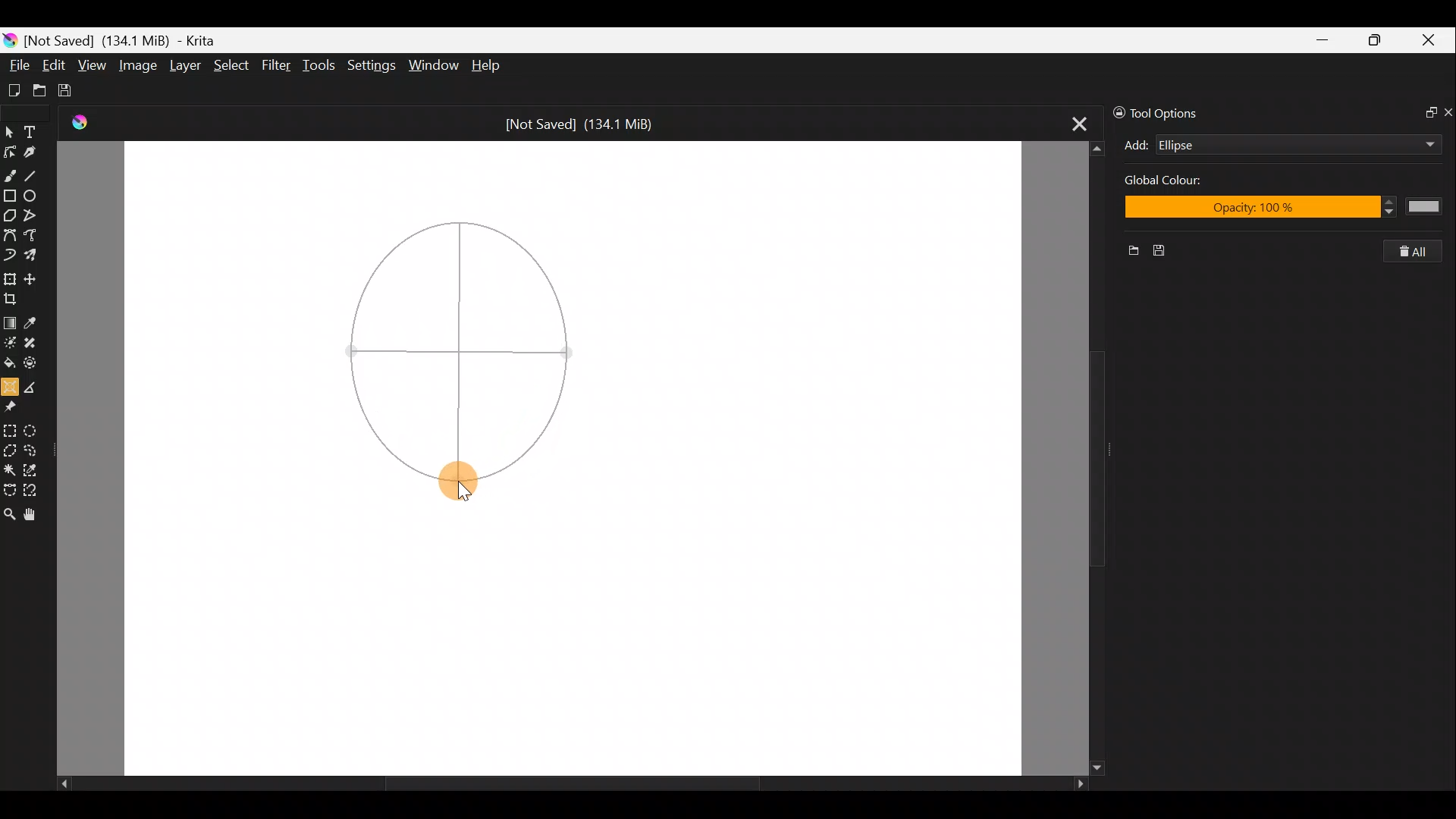  Describe the element at coordinates (77, 123) in the screenshot. I see `Krita Logo` at that location.